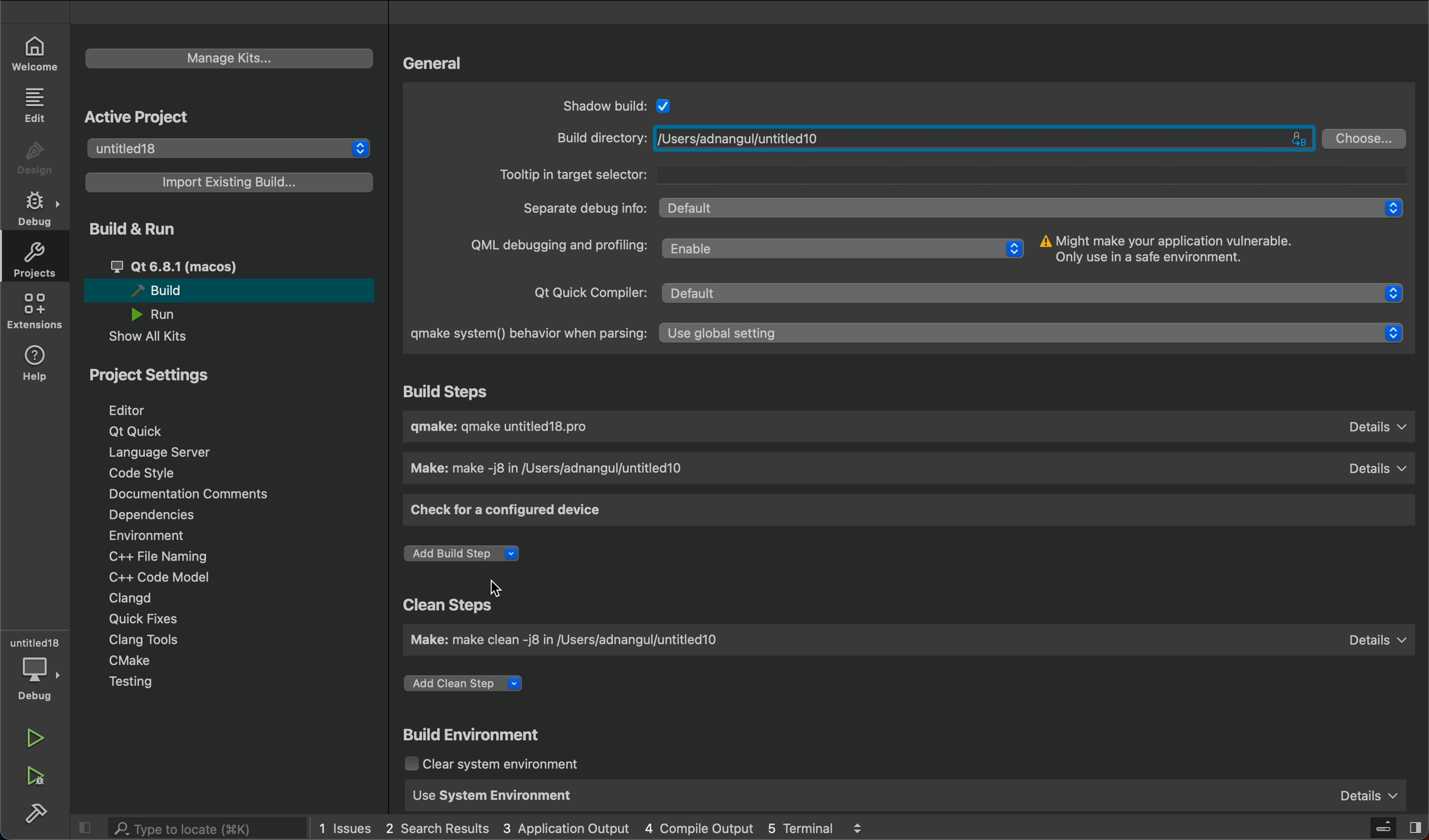 The image size is (1429, 840). Describe the element at coordinates (666, 103) in the screenshot. I see `Checkbox` at that location.